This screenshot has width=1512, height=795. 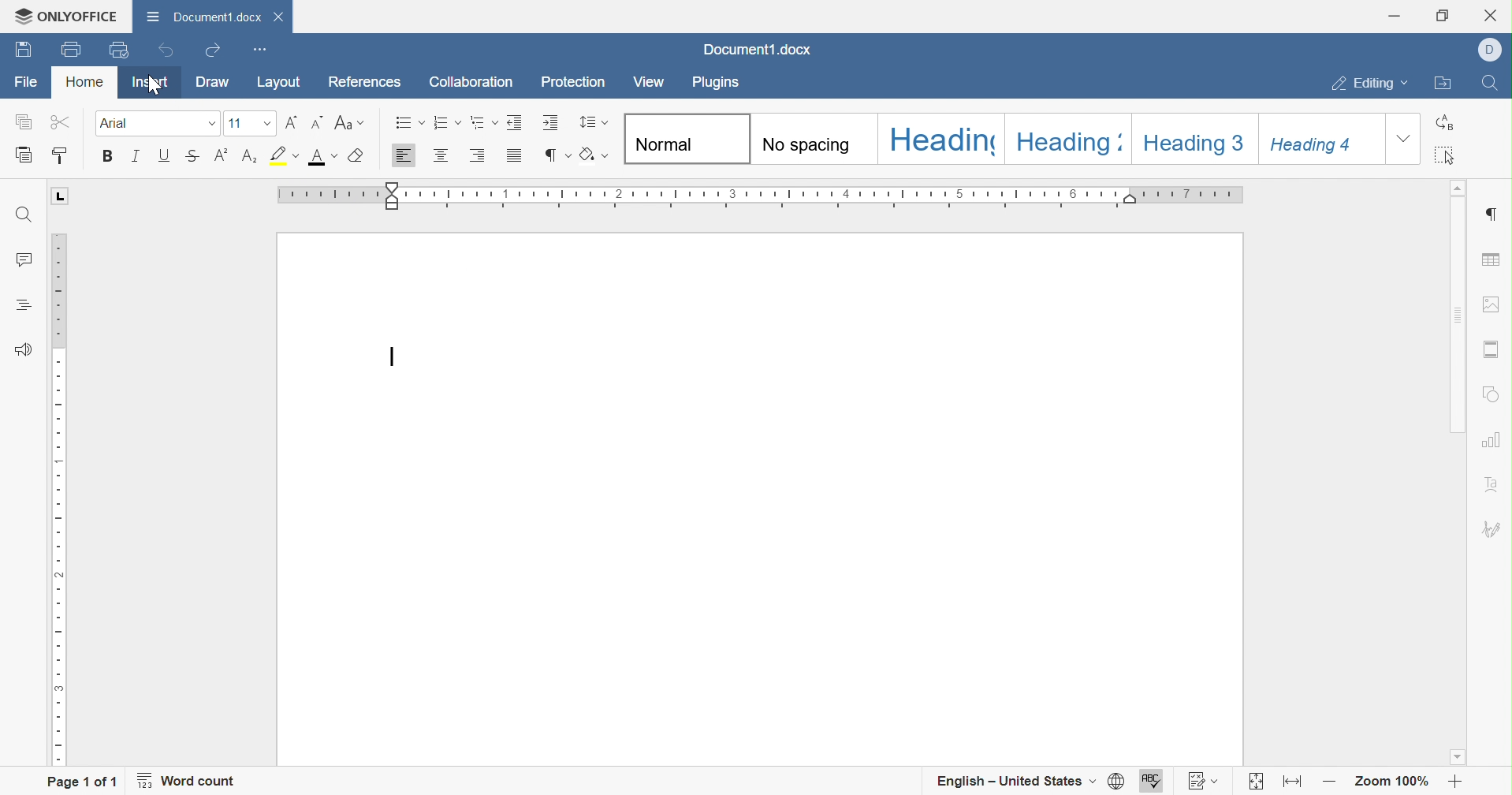 What do you see at coordinates (1153, 779) in the screenshot?
I see `Spell checking` at bounding box center [1153, 779].